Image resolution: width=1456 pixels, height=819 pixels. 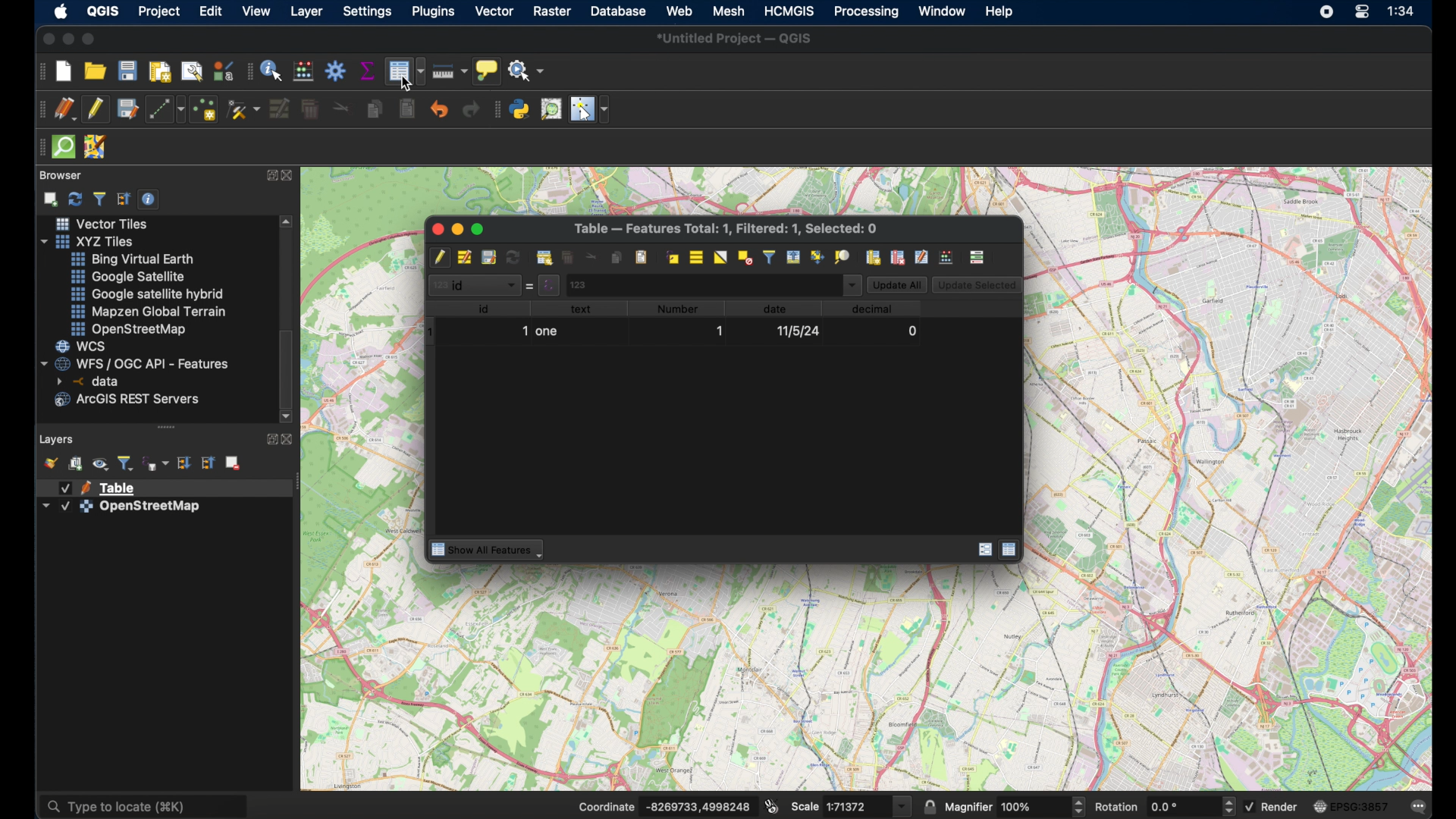 I want to click on toggle multi edit mode, so click(x=463, y=256).